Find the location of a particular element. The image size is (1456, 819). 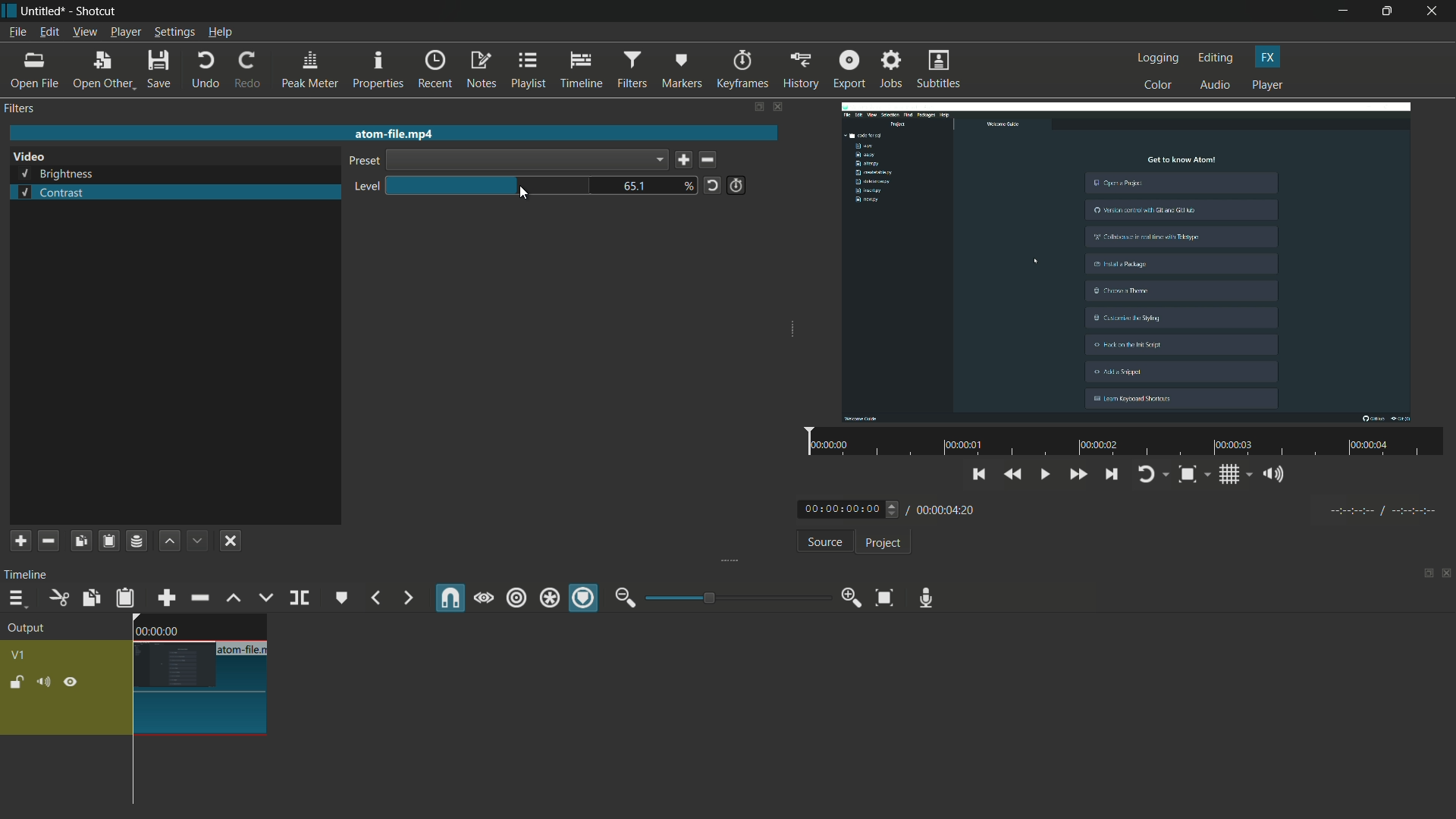

skip to the next point is located at coordinates (1112, 476).